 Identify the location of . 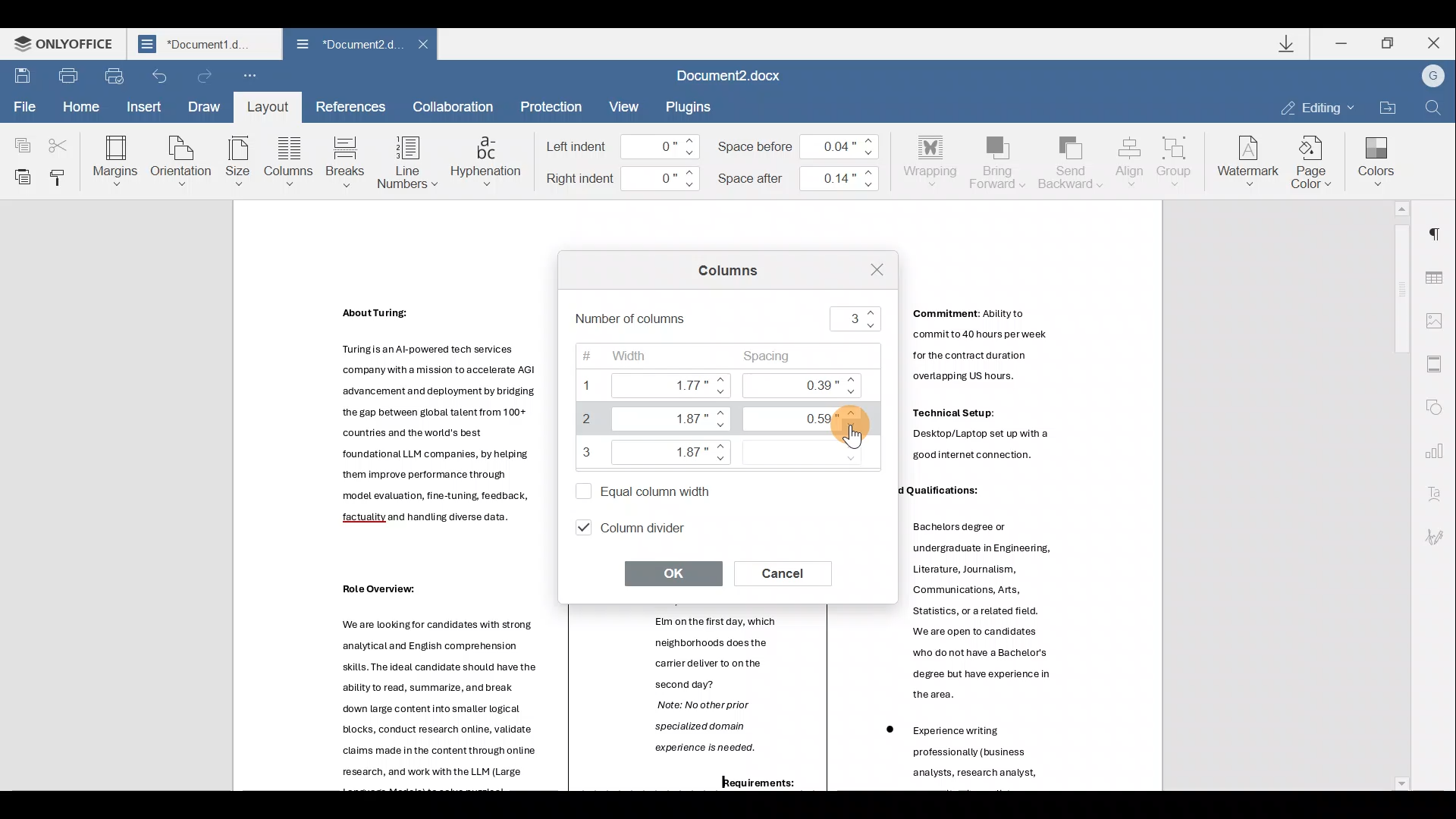
(433, 698).